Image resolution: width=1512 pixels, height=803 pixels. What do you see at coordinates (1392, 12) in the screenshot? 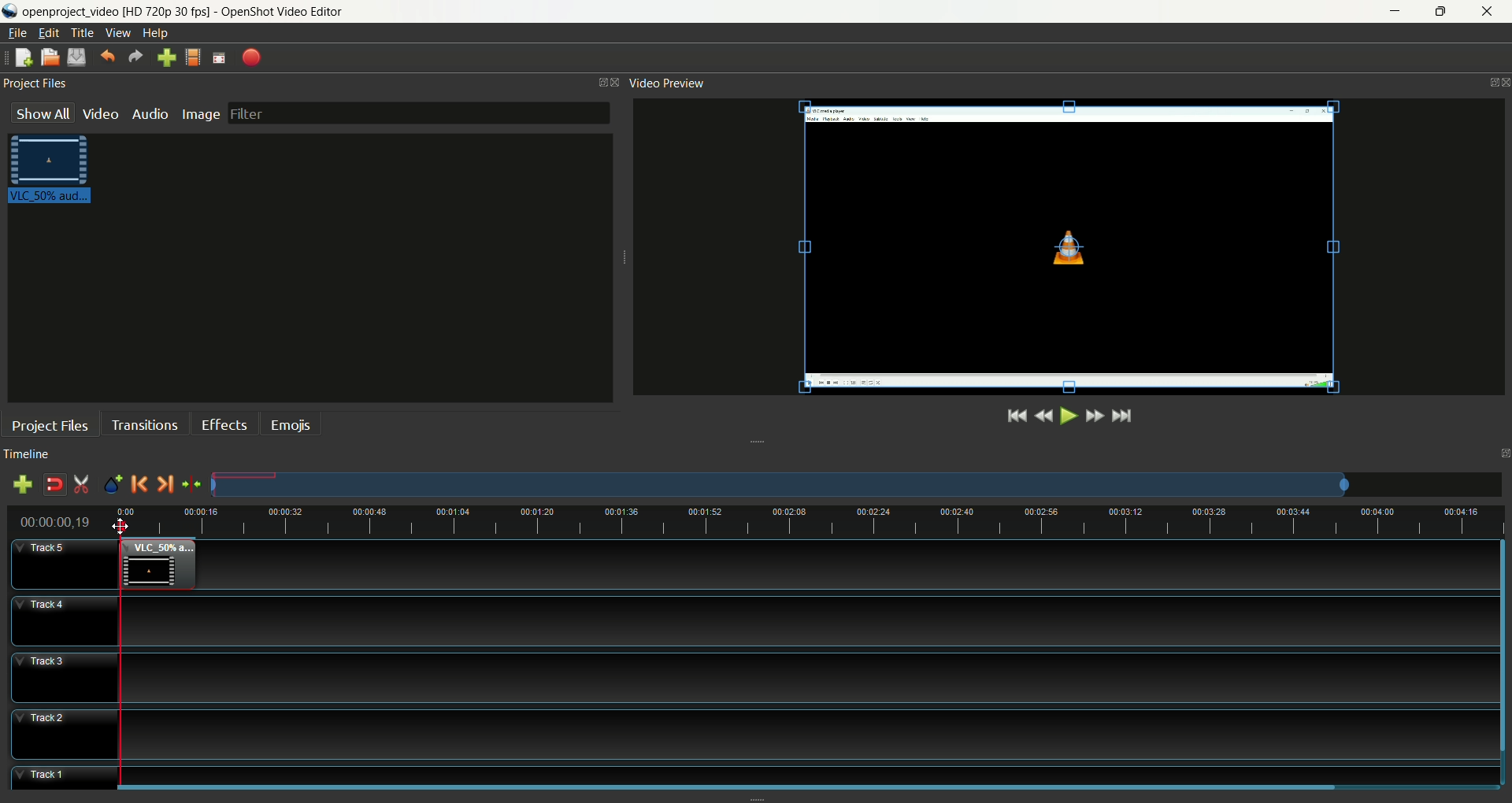
I see `minimize` at bounding box center [1392, 12].